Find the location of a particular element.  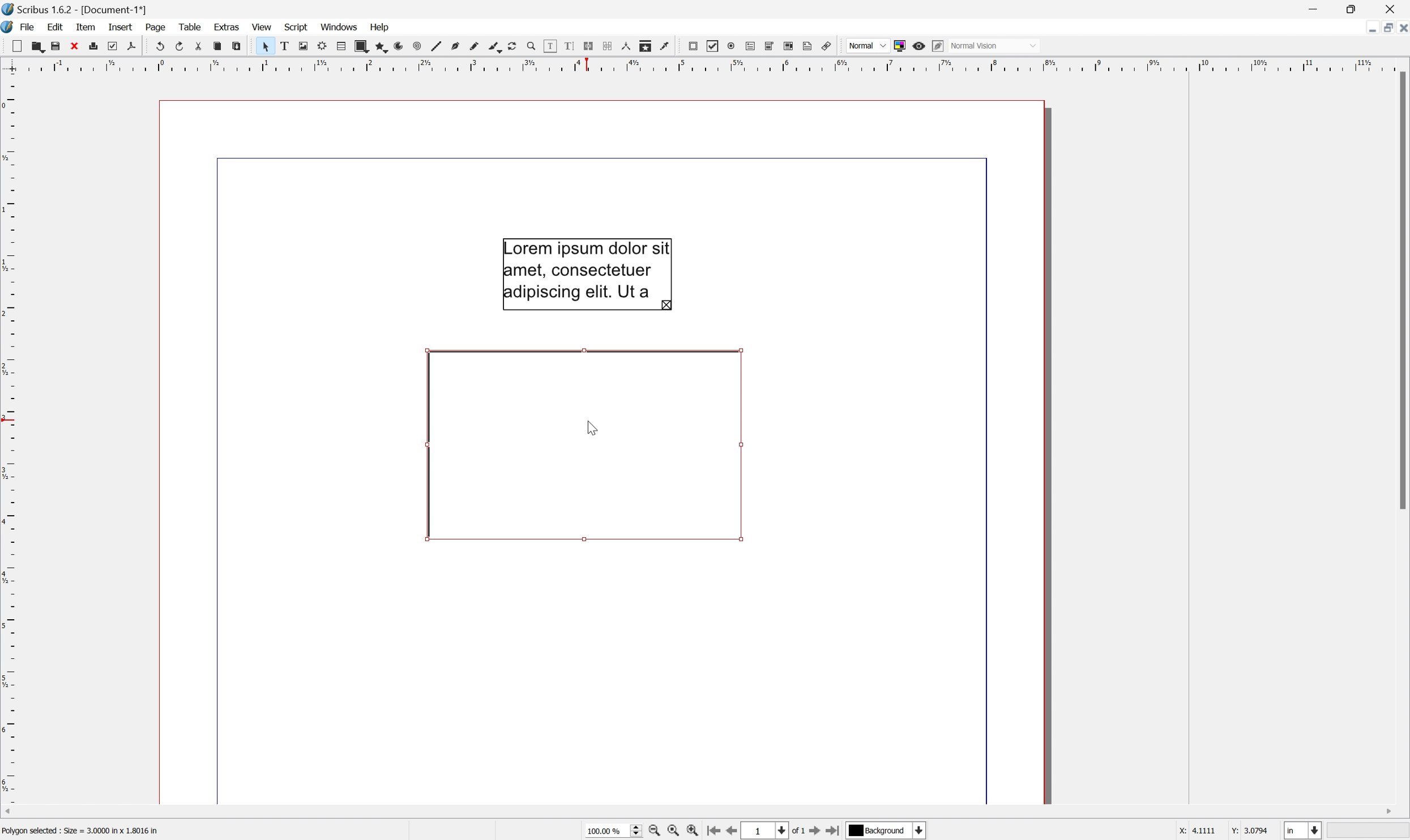

of 1 is located at coordinates (796, 832).